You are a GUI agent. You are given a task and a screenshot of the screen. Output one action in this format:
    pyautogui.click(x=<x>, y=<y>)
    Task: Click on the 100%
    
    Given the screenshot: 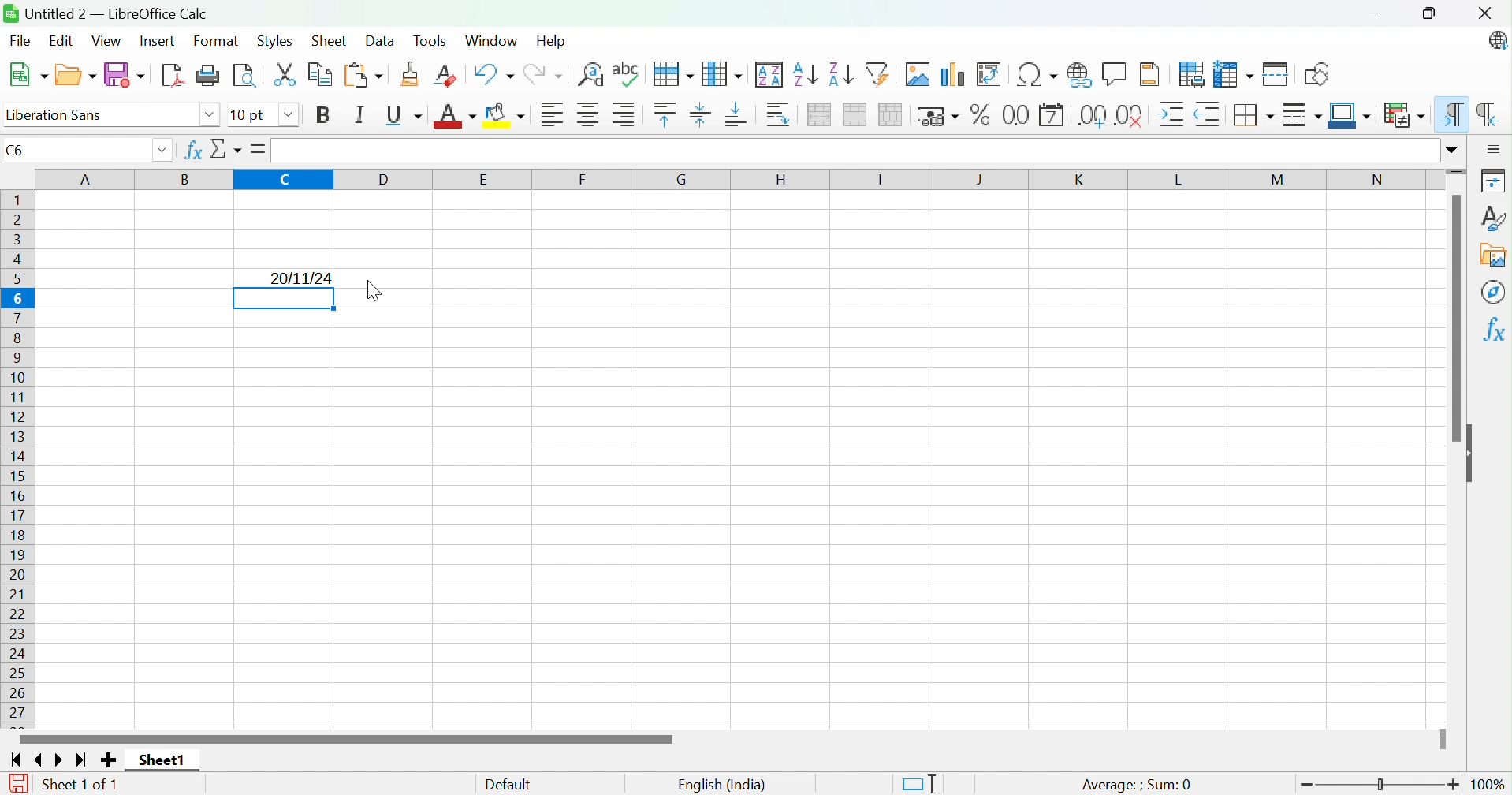 What is the action you would take?
    pyautogui.click(x=1492, y=786)
    